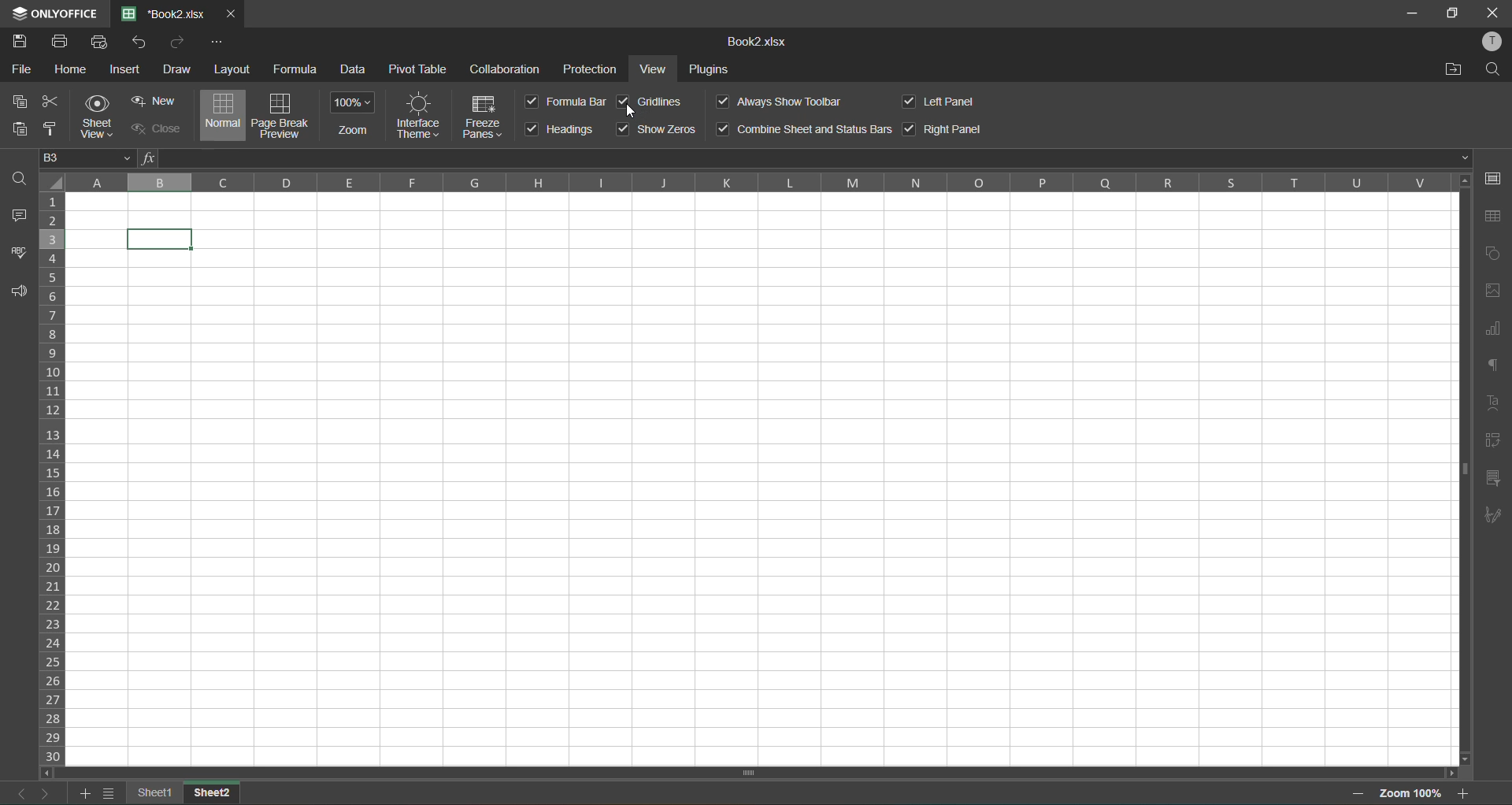 The height and width of the screenshot is (805, 1512). What do you see at coordinates (224, 114) in the screenshot?
I see `normal` at bounding box center [224, 114].